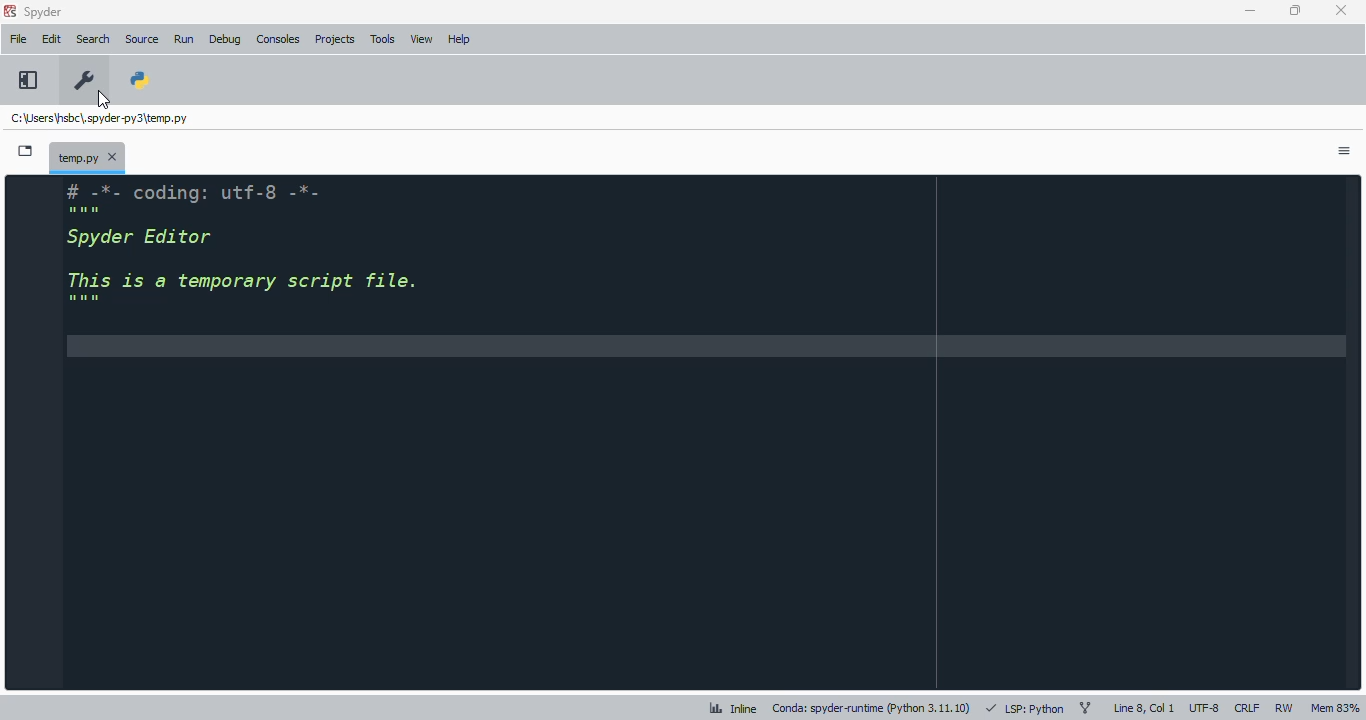 Image resolution: width=1366 pixels, height=720 pixels. Describe the element at coordinates (18, 39) in the screenshot. I see `file` at that location.